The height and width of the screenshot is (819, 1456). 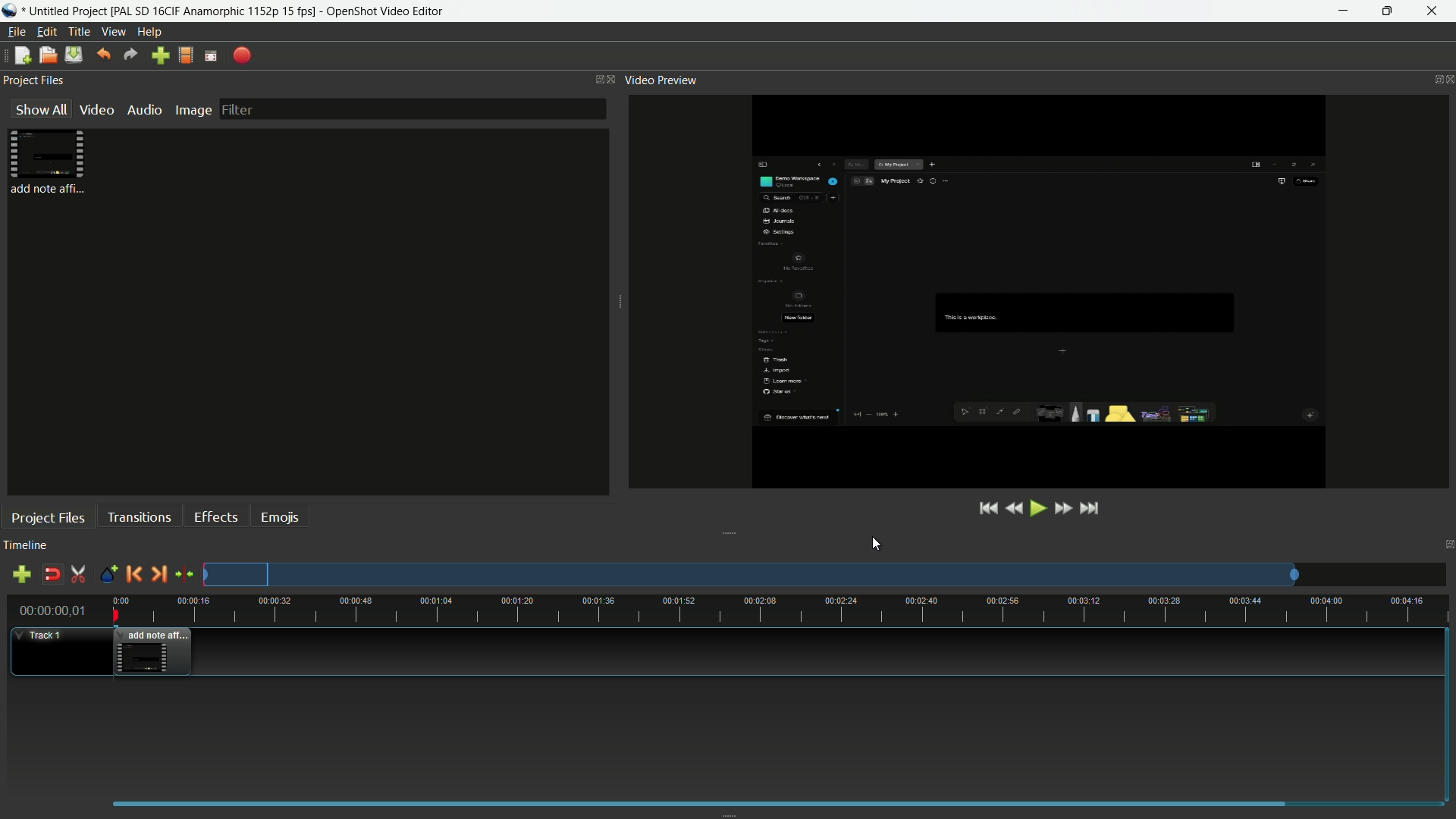 I want to click on time, so click(x=781, y=611).